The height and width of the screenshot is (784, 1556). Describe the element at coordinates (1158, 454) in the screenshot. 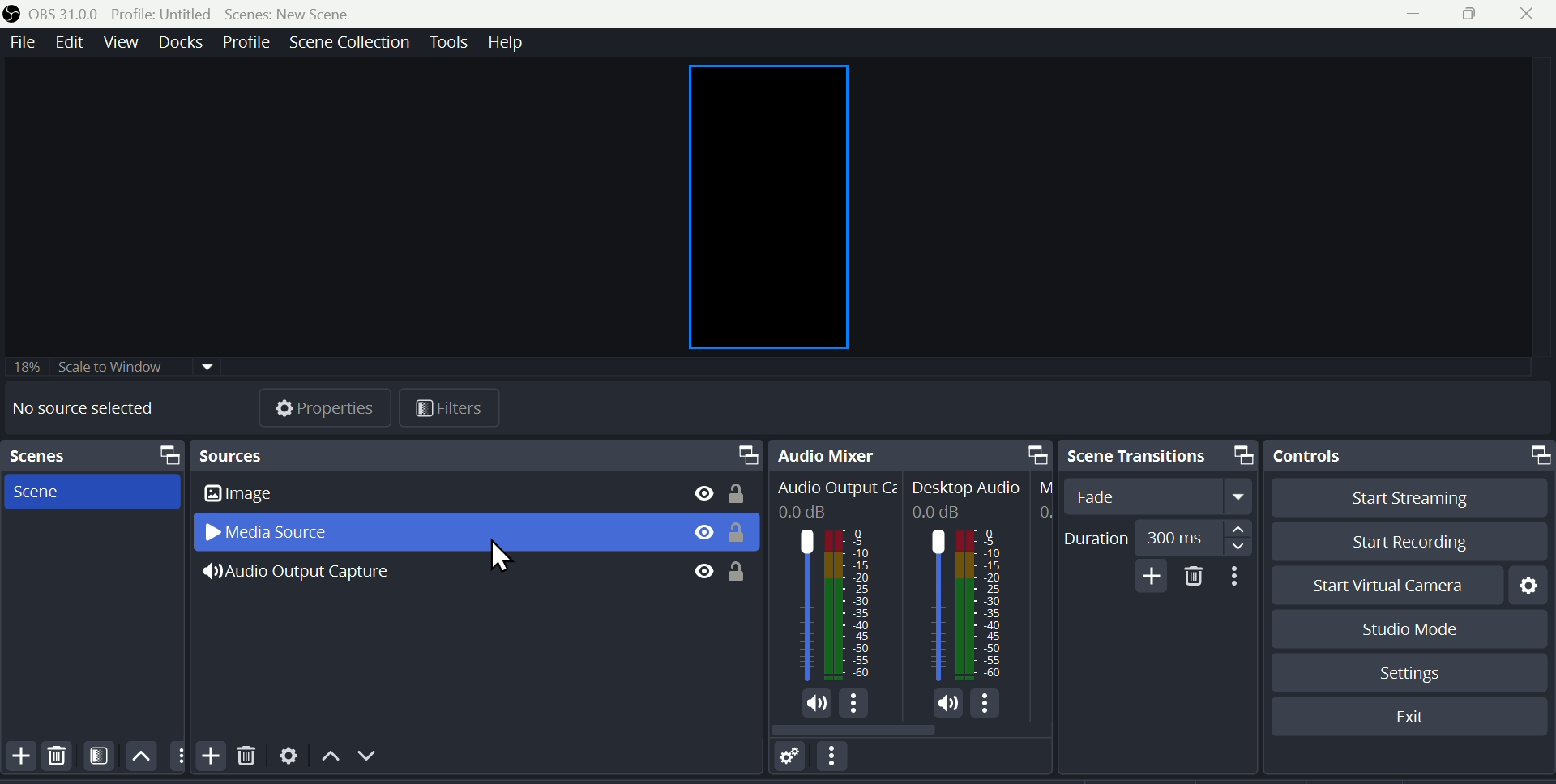

I see `Scene transitions` at that location.